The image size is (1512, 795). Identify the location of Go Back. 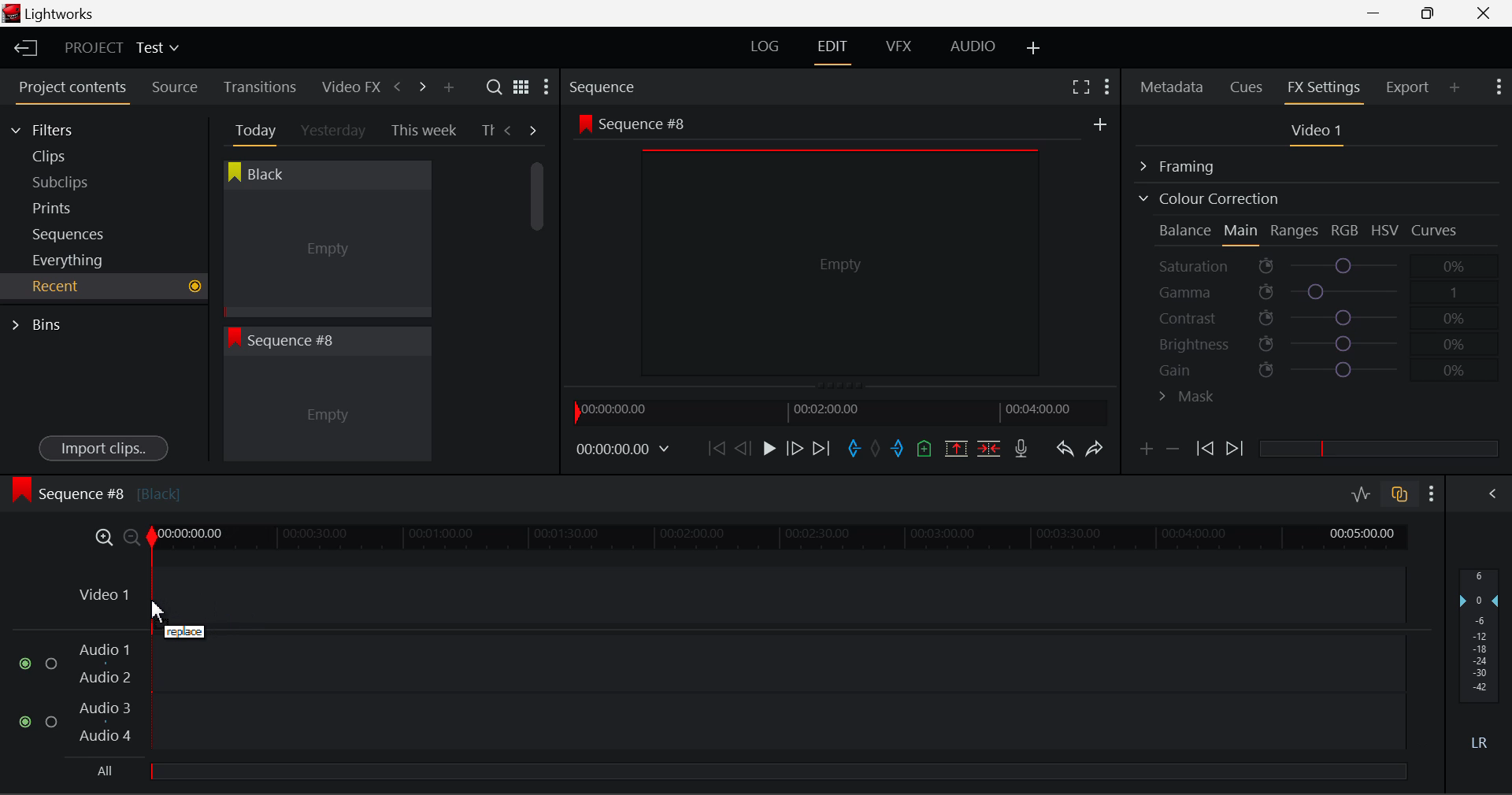
(745, 447).